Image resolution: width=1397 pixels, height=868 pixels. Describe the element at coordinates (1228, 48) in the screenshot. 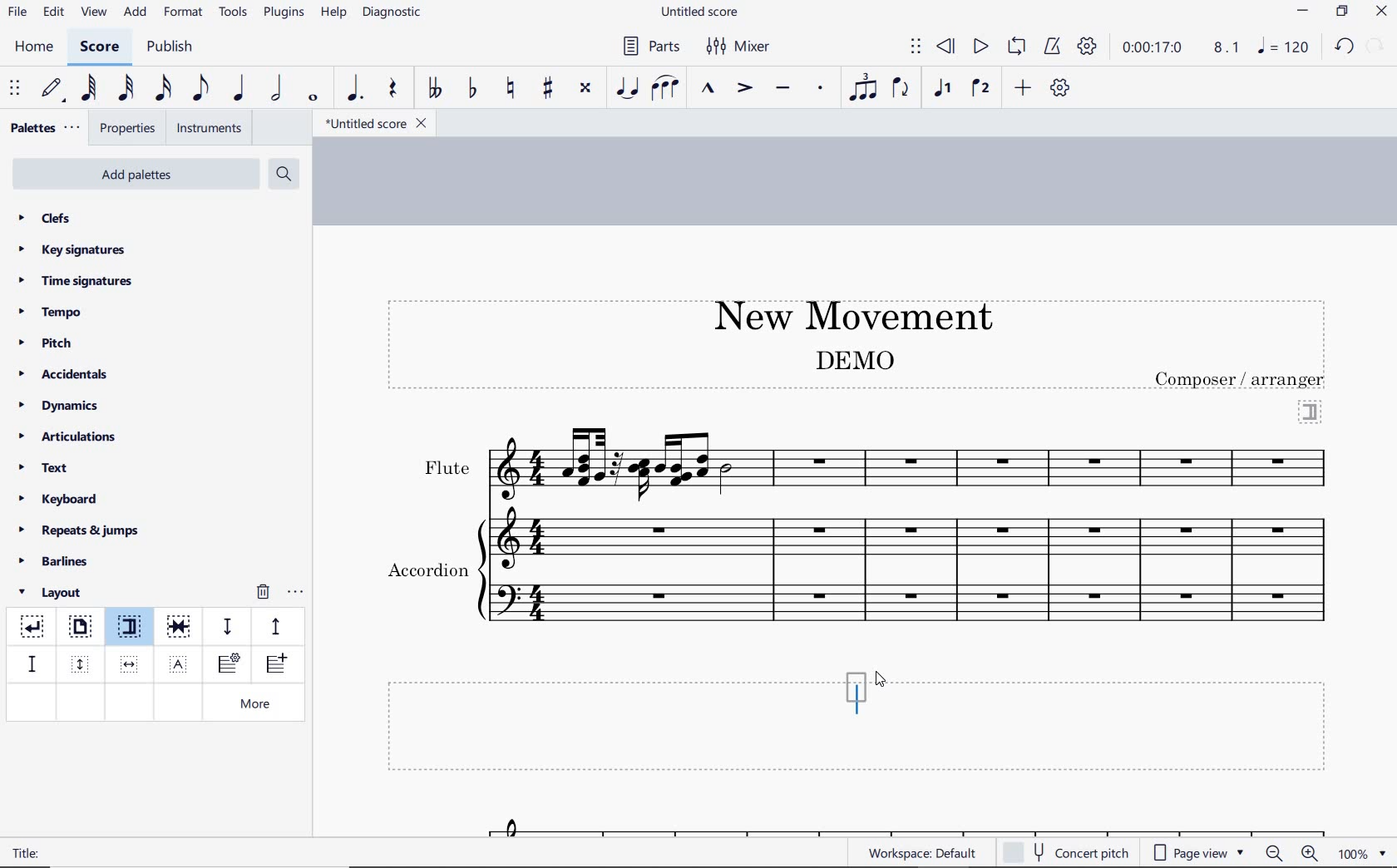

I see `Playback speed` at that location.